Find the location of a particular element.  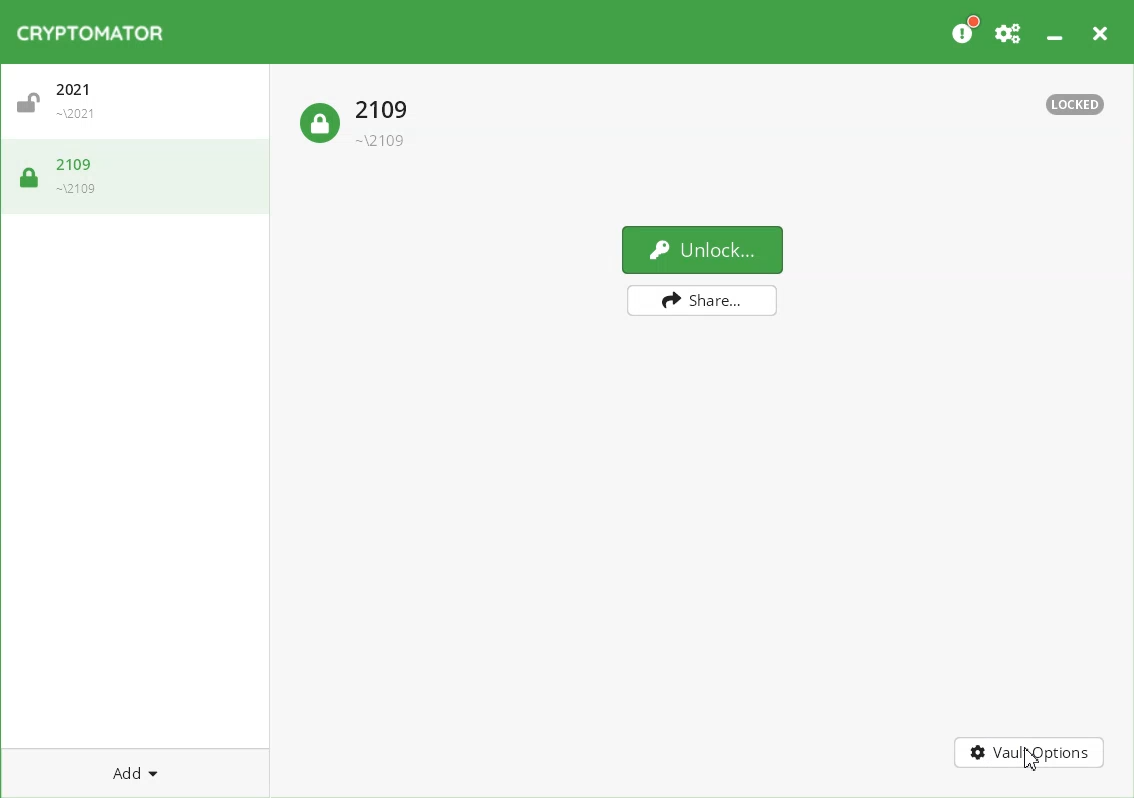

Cursor is located at coordinates (1031, 761).